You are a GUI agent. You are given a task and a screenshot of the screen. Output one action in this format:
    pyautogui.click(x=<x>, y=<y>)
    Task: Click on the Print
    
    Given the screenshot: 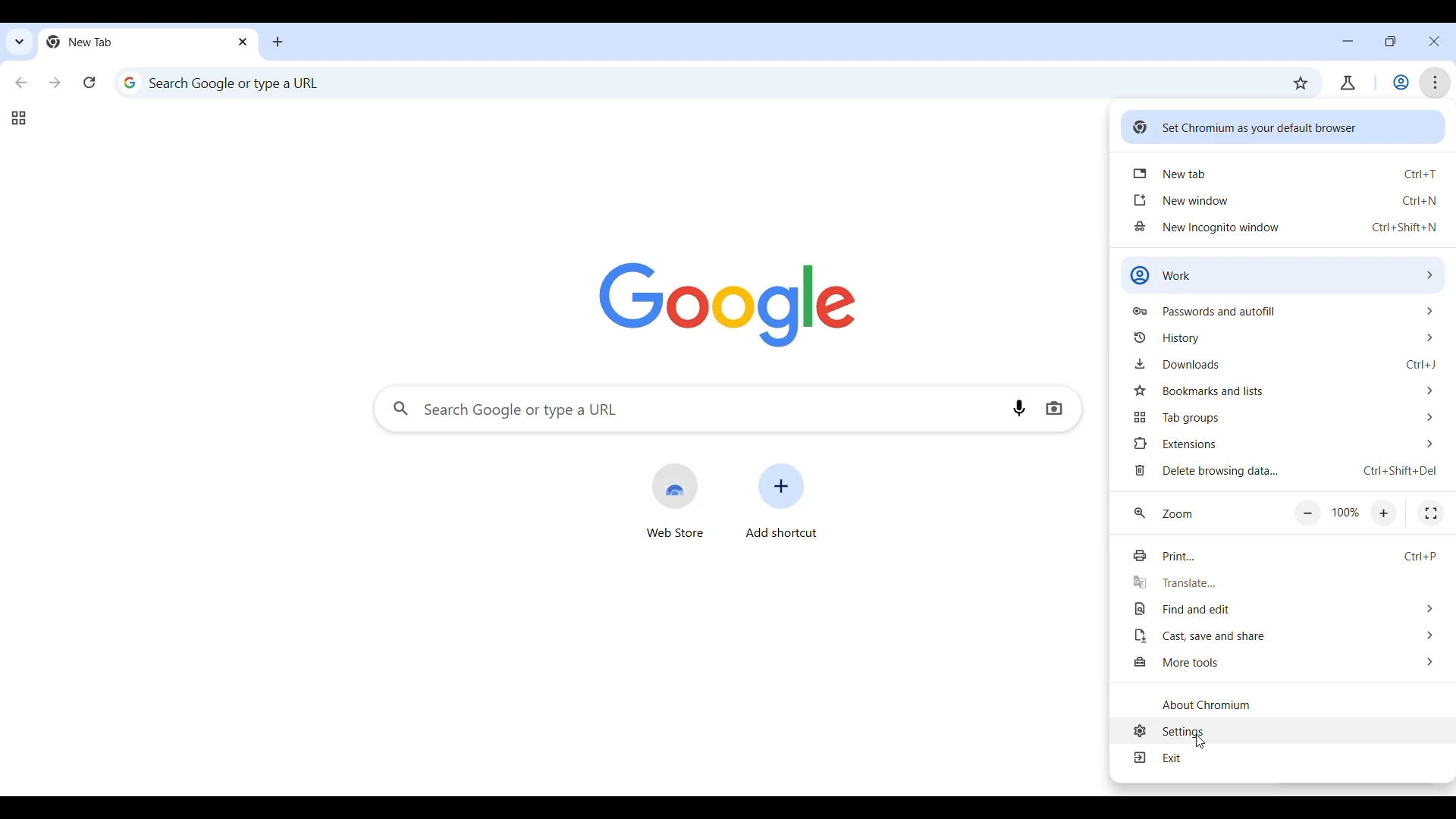 What is the action you would take?
    pyautogui.click(x=1285, y=556)
    